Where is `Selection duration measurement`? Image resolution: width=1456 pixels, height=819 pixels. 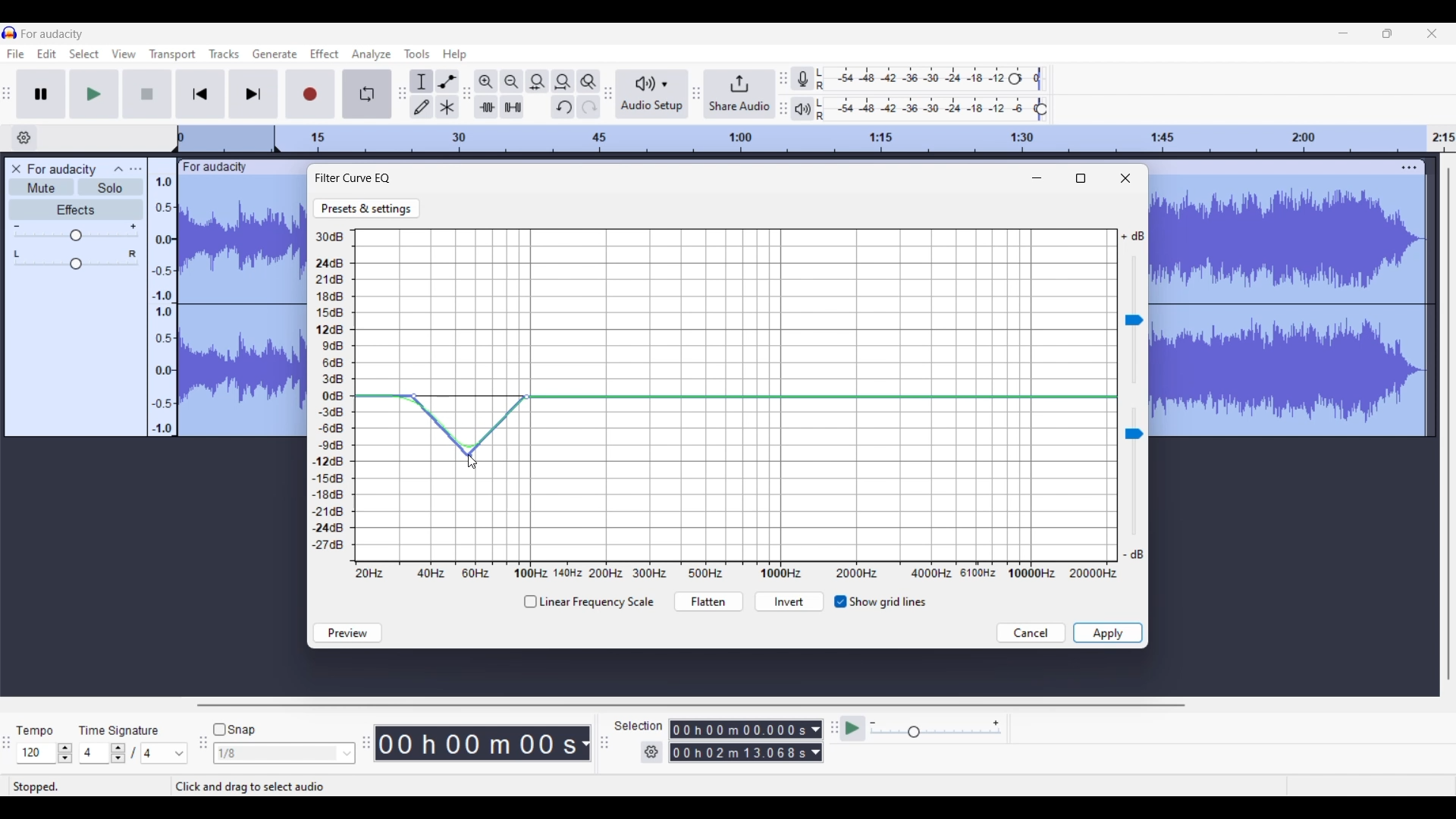 Selection duration measurement is located at coordinates (815, 741).